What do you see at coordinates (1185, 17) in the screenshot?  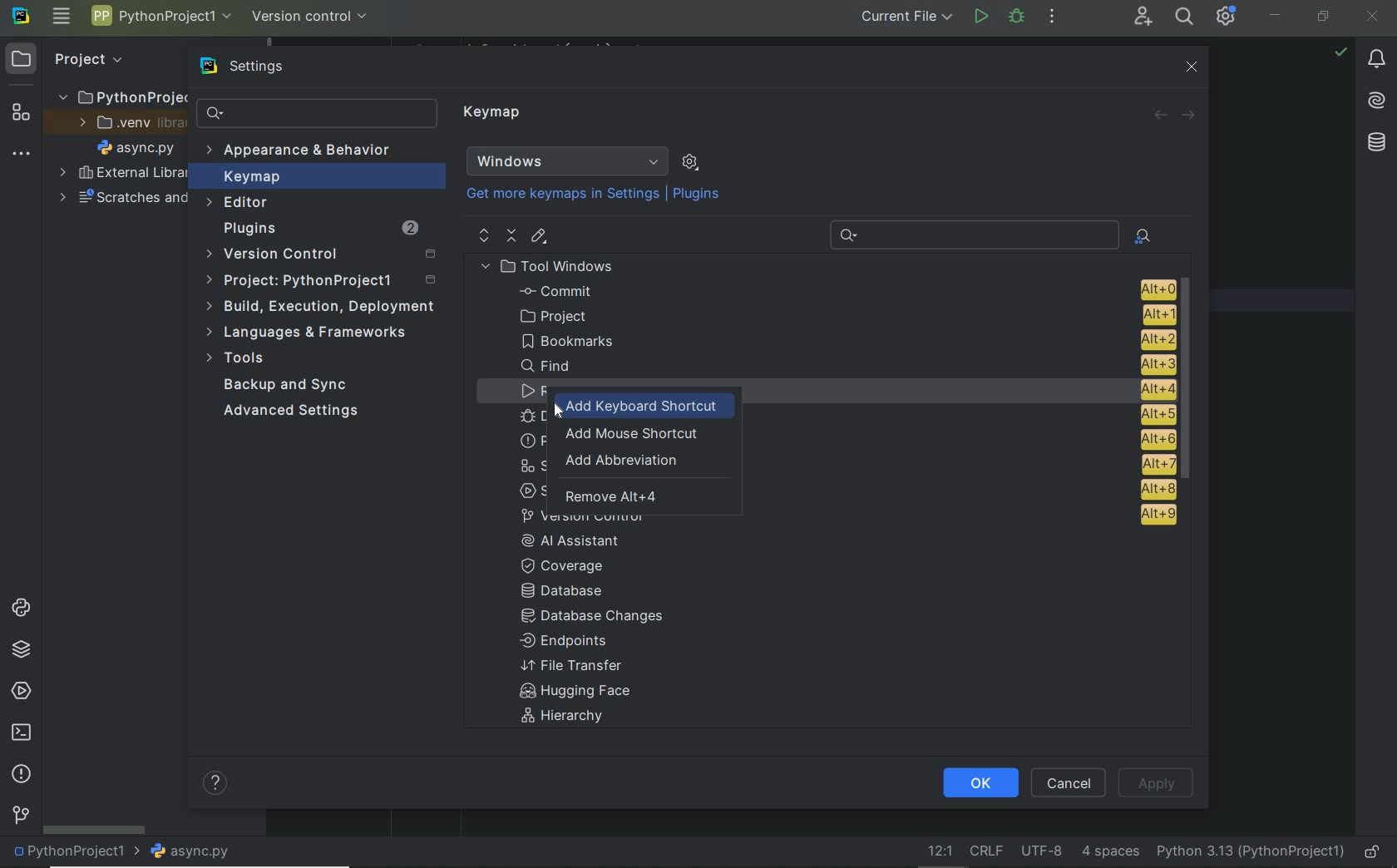 I see `search everywhere` at bounding box center [1185, 17].